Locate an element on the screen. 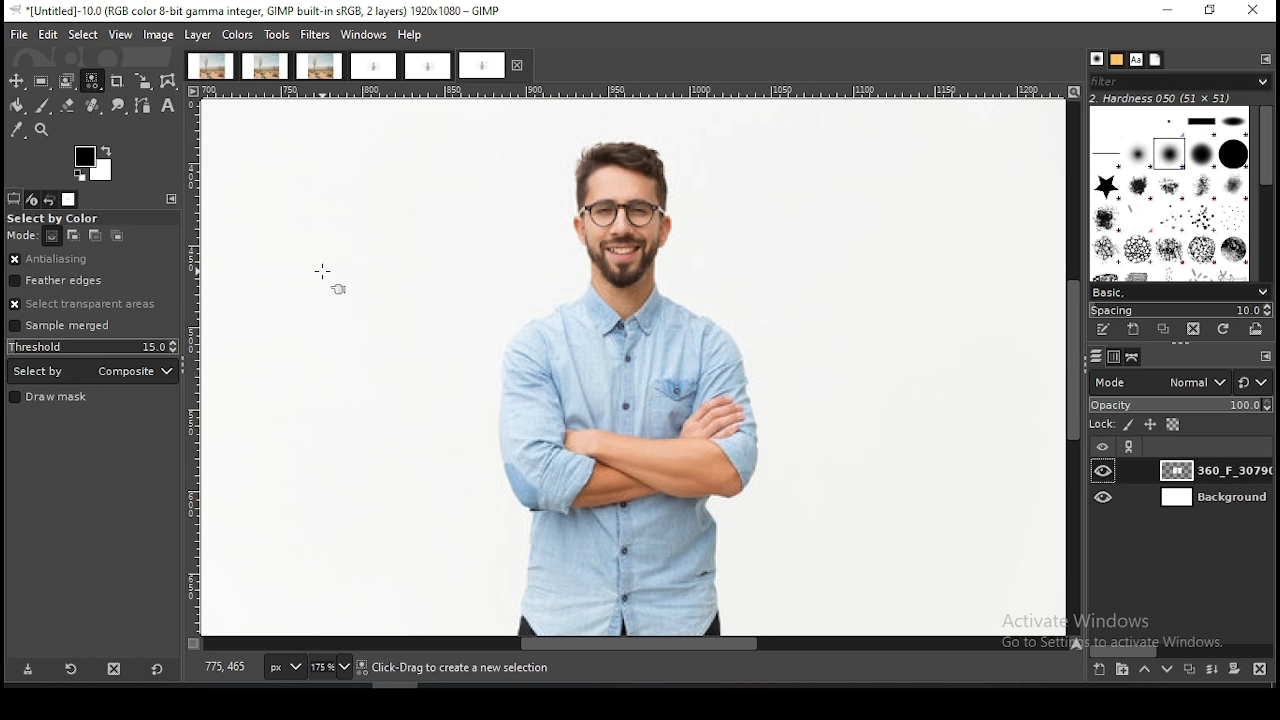  *[Untitled]-10.0 (RGB color 8-bit gamma integer, GIMP built-in sRGB, 2 layers) 1920x1080 — GIMP is located at coordinates (259, 10).